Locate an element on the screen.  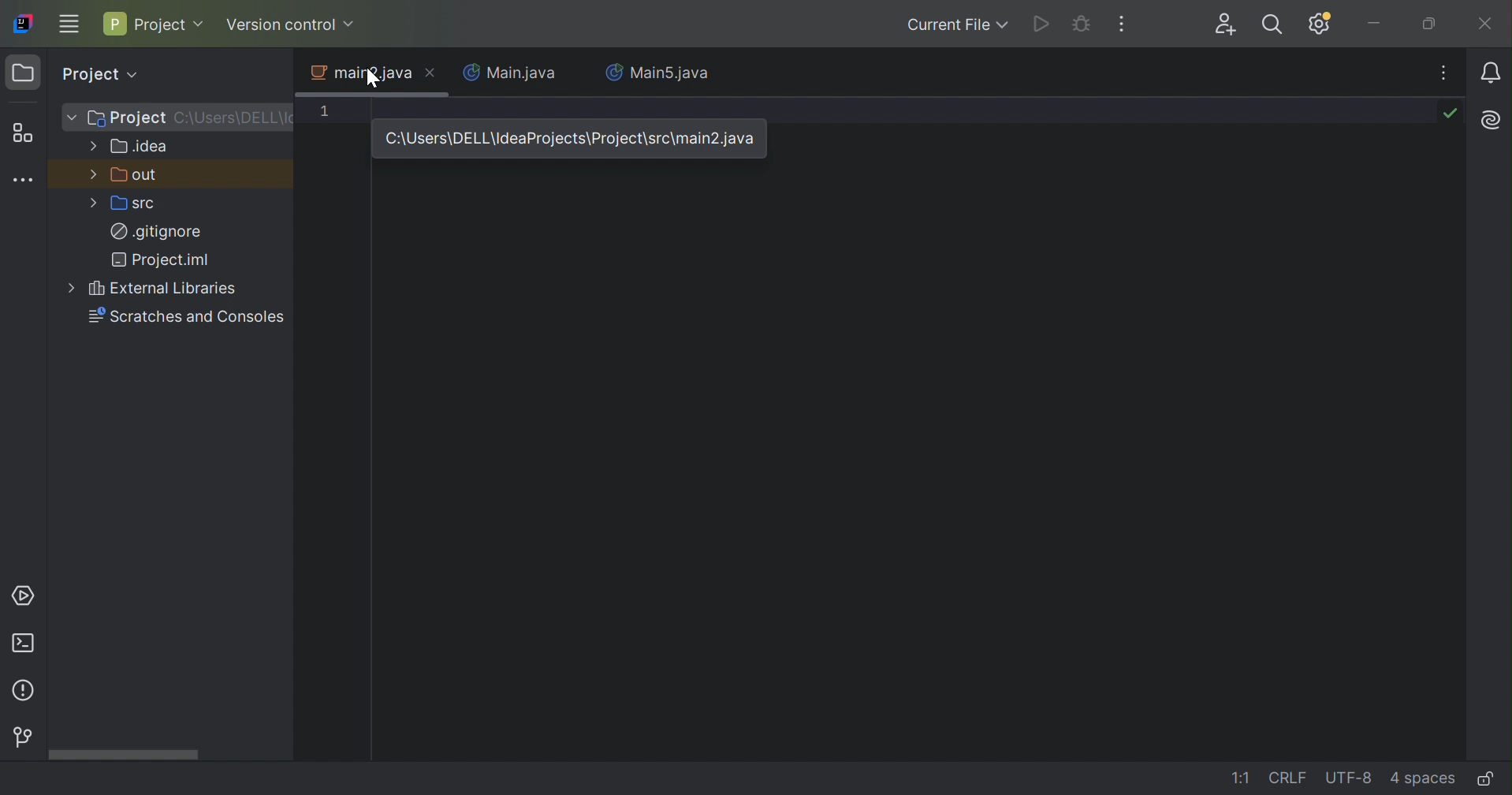
Problems is located at coordinates (28, 691).